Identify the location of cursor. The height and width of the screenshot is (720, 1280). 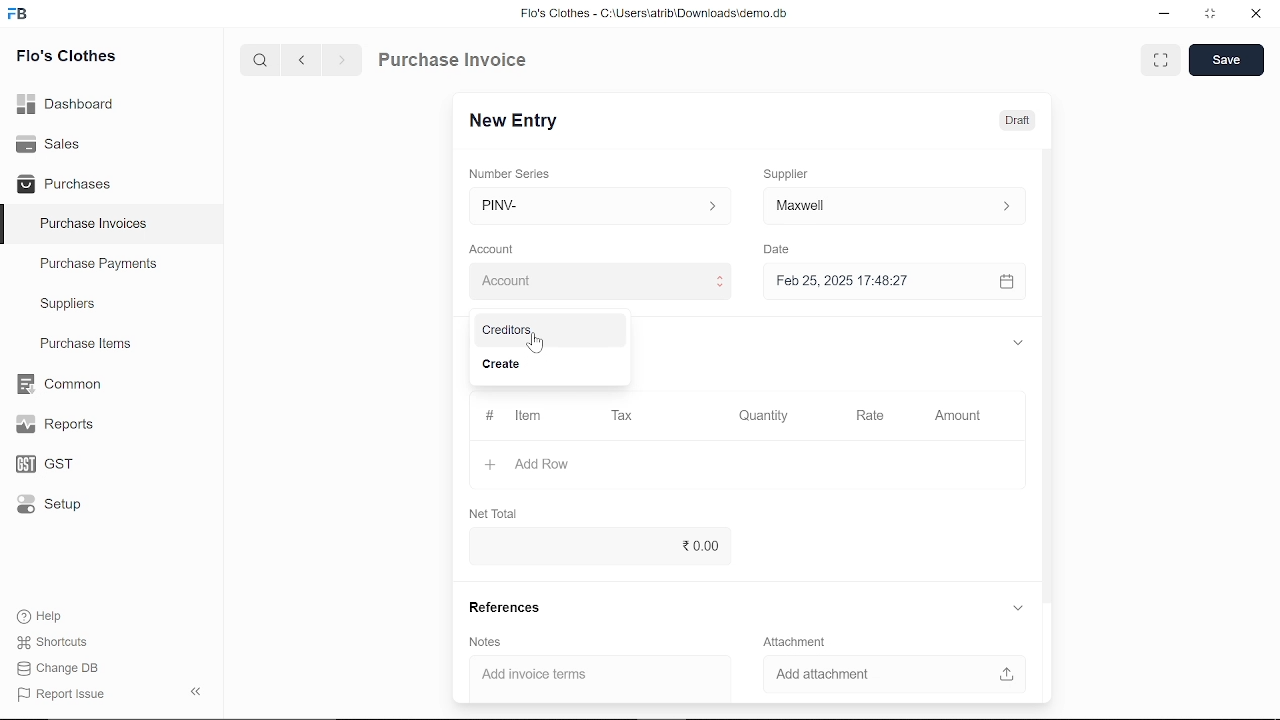
(533, 346).